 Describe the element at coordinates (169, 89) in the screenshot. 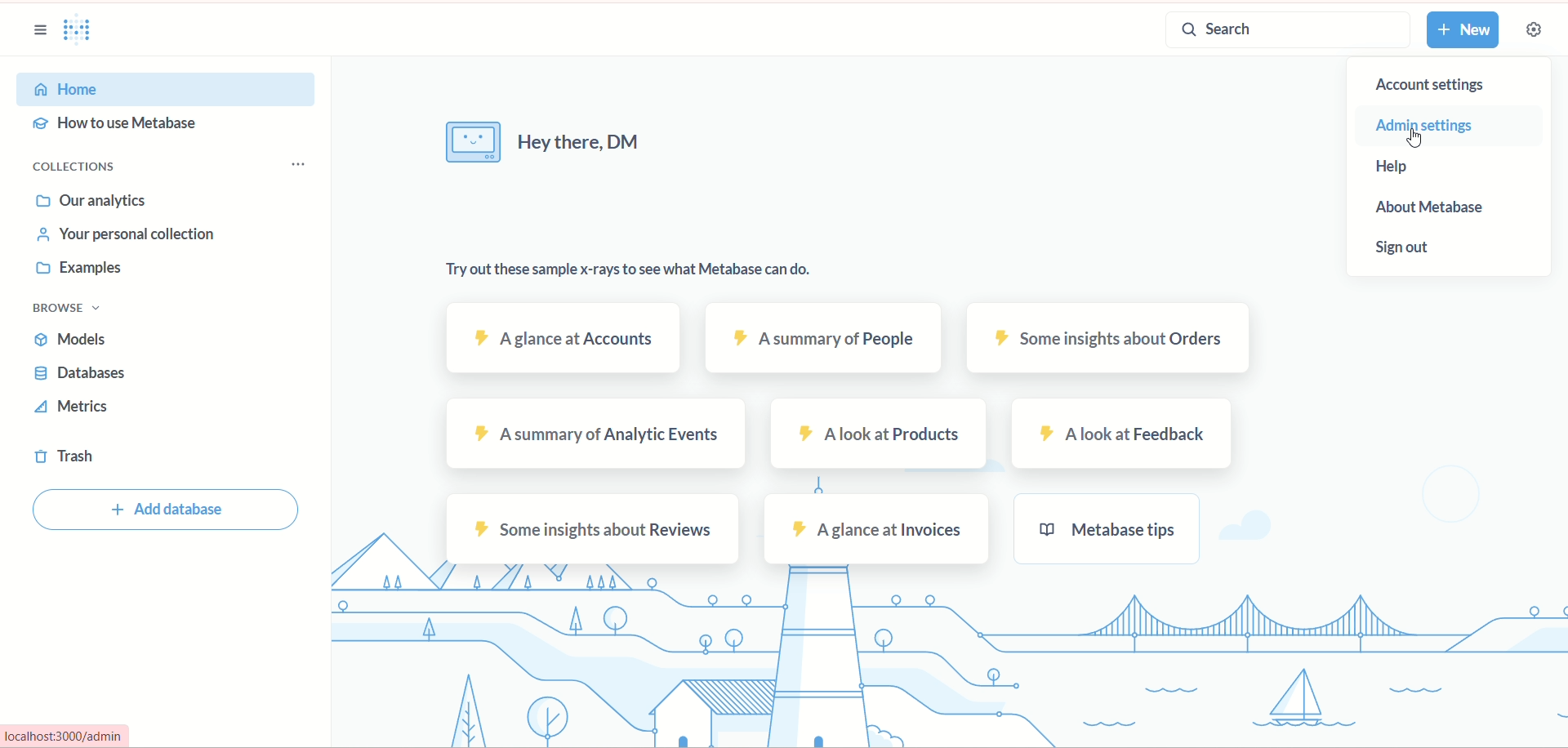

I see `home` at that location.